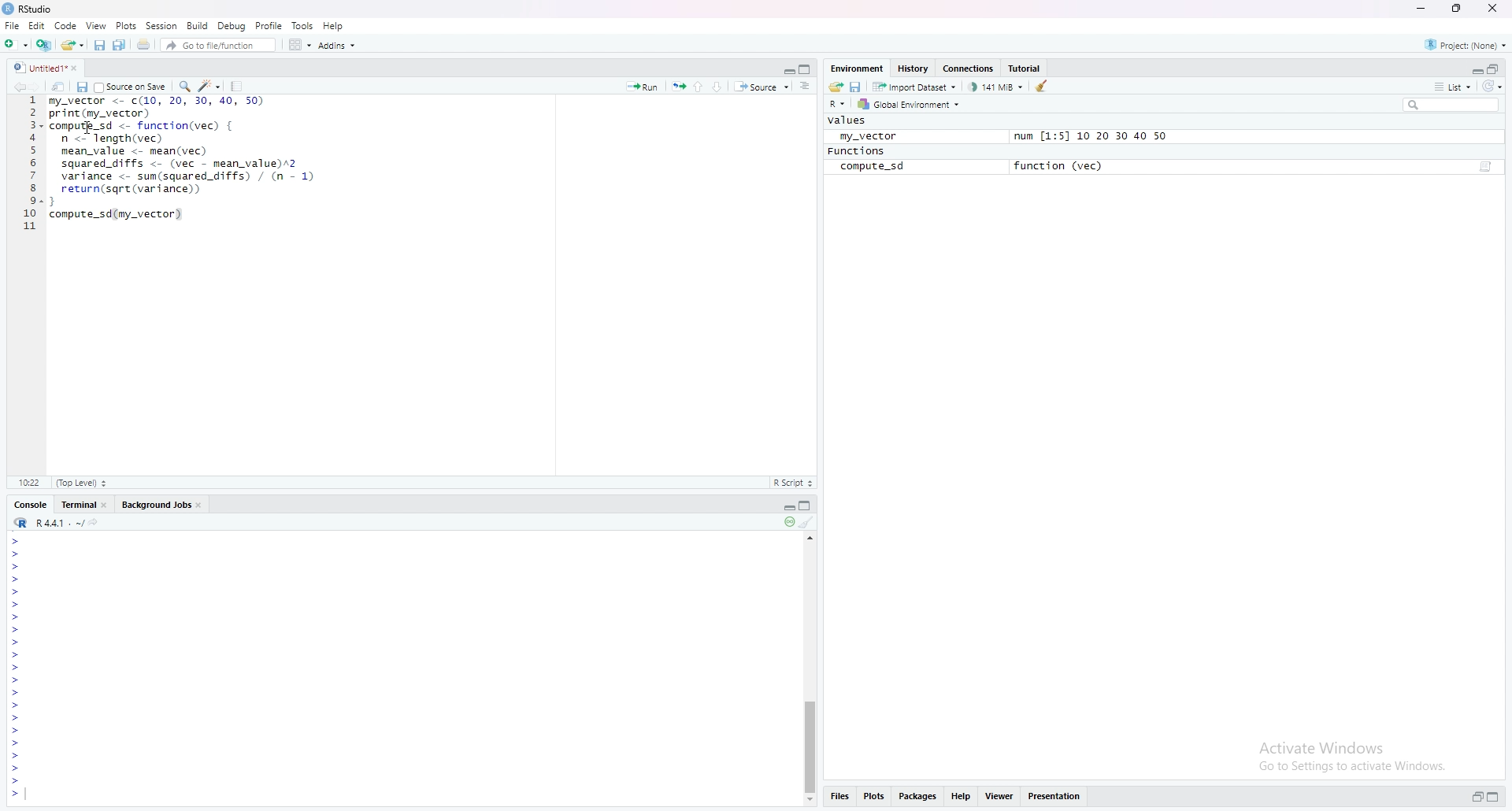 This screenshot has width=1512, height=811. What do you see at coordinates (915, 86) in the screenshot?
I see `Import Dataset` at bounding box center [915, 86].